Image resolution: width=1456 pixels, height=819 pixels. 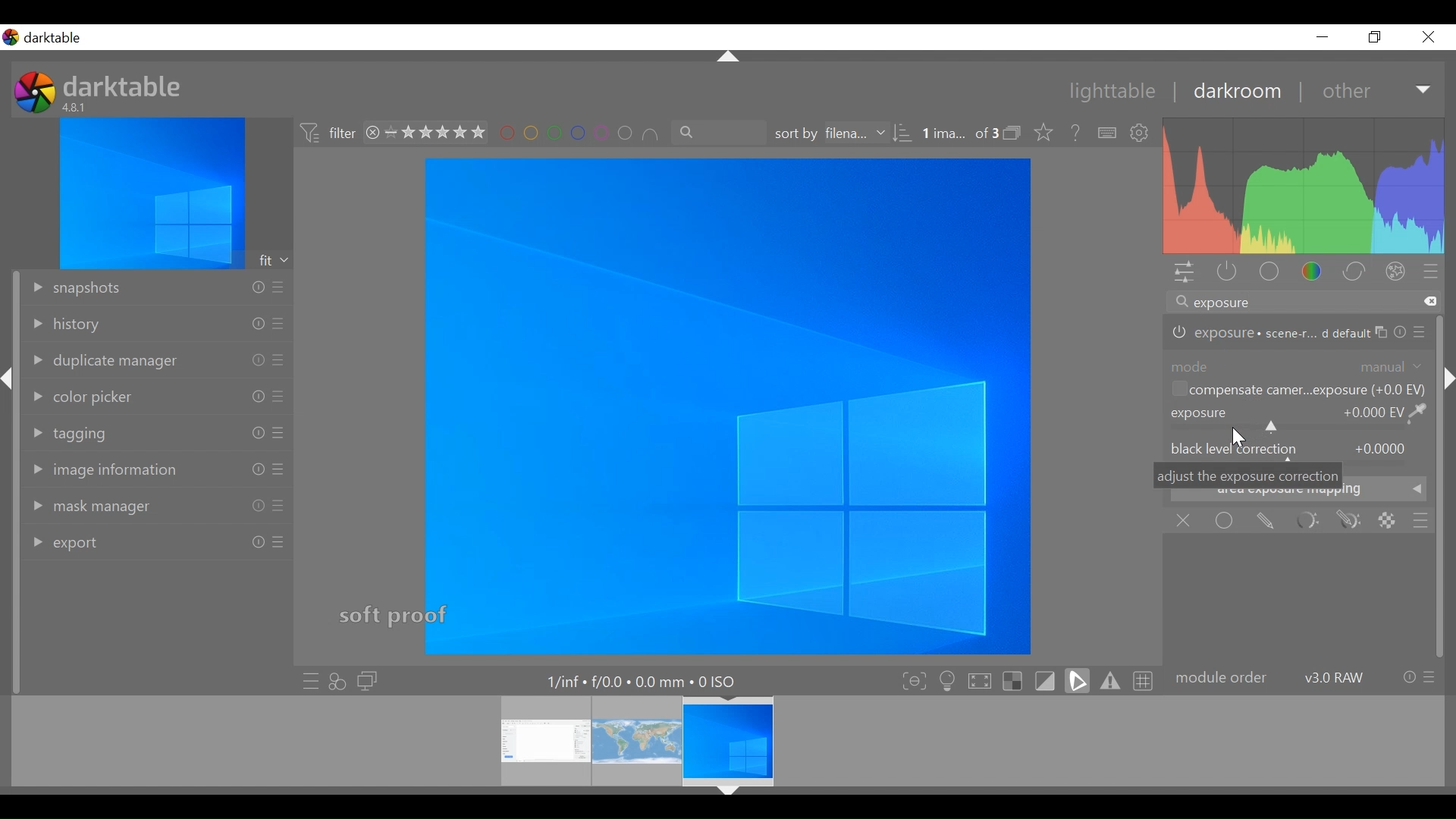 What do you see at coordinates (1012, 679) in the screenshot?
I see `toggle indication of raw overexposure` at bounding box center [1012, 679].